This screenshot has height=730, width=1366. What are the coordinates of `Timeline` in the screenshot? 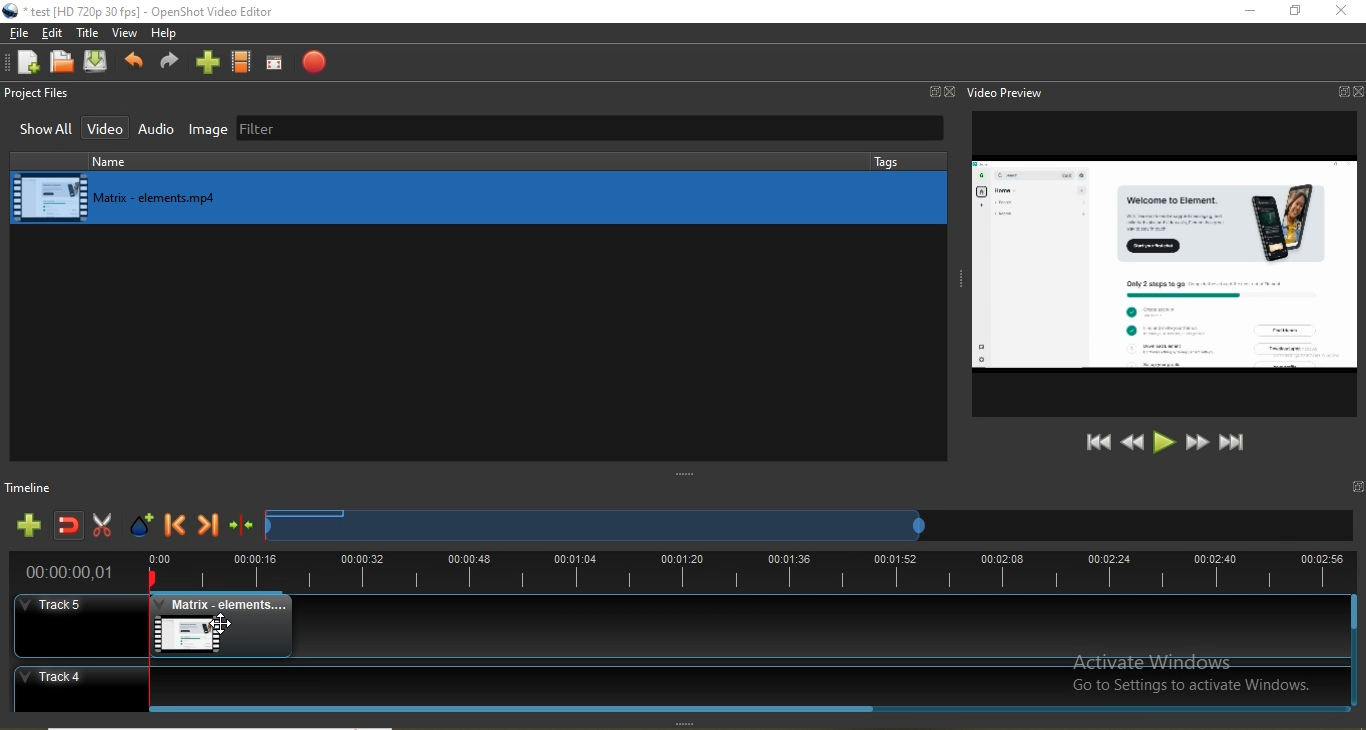 It's located at (37, 486).